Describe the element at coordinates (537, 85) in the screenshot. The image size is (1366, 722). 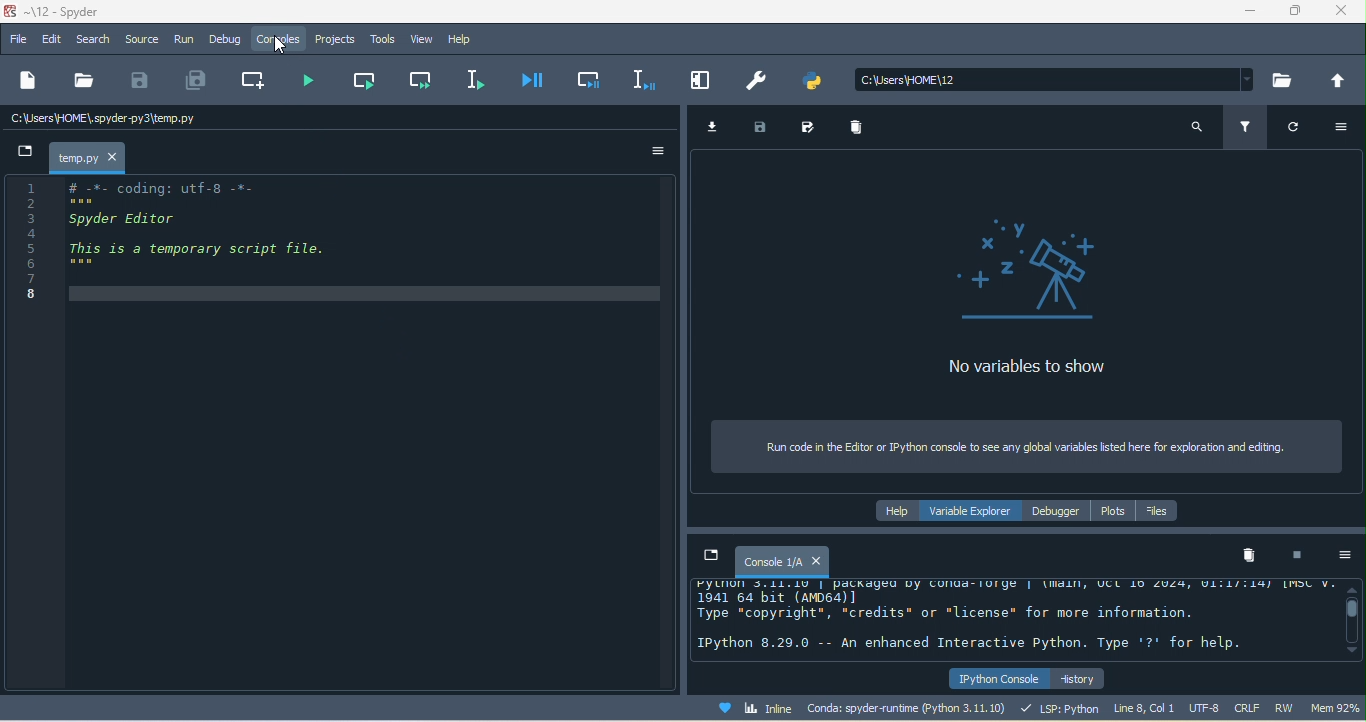
I see `debug file` at that location.